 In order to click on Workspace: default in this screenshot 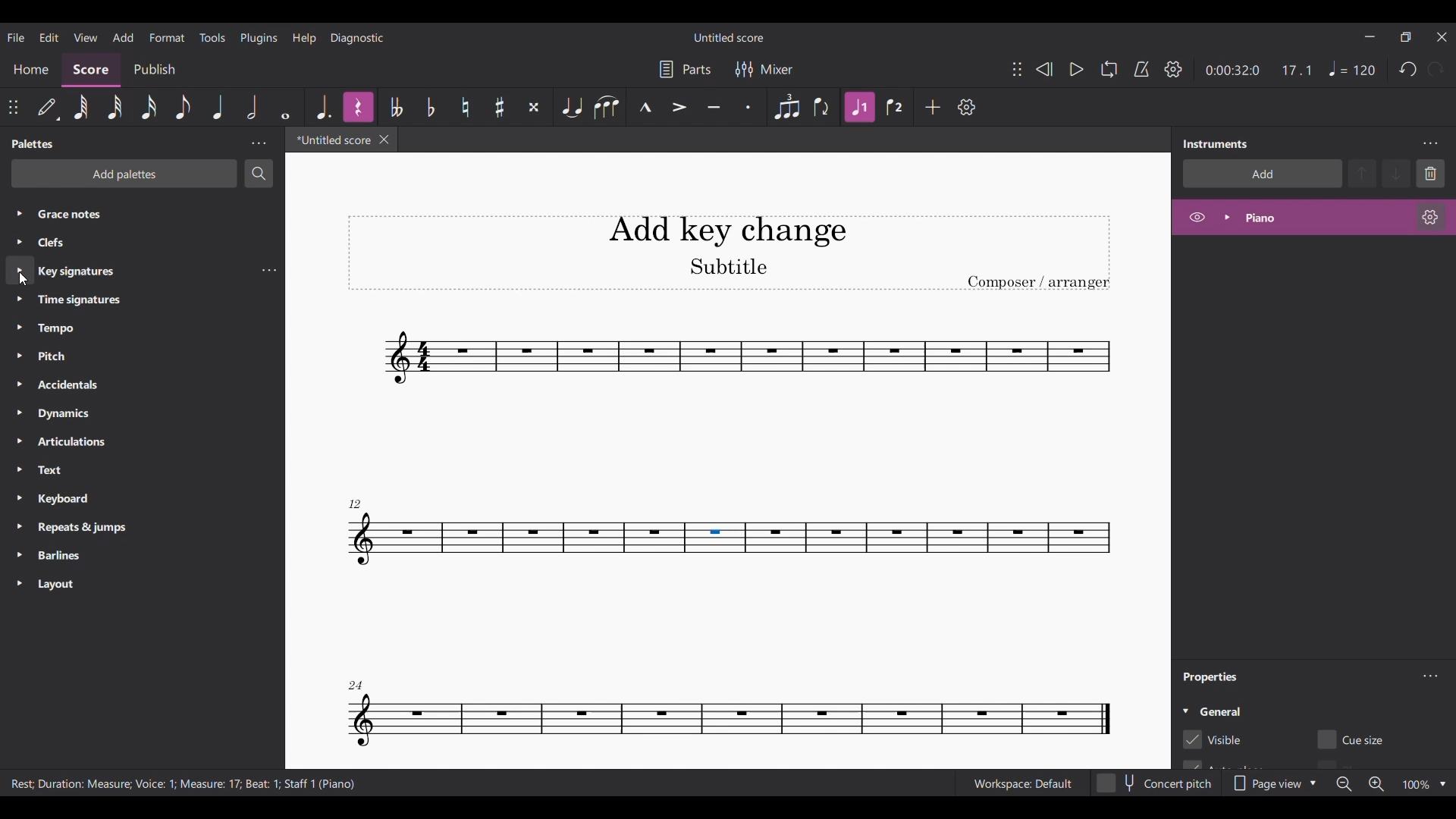, I will do `click(1022, 784)`.